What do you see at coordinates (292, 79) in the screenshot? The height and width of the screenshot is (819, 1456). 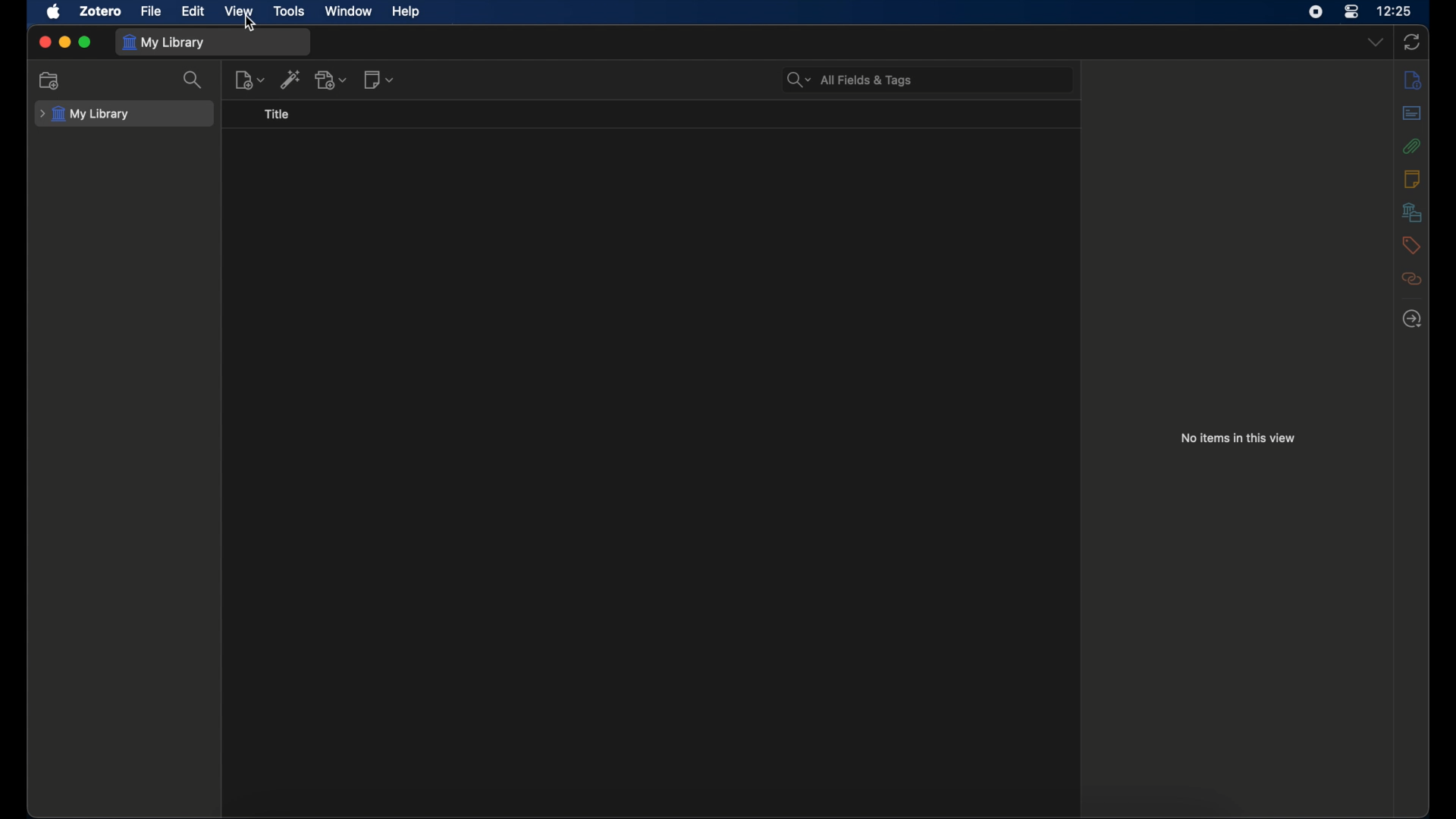 I see `add item by identifier` at bounding box center [292, 79].